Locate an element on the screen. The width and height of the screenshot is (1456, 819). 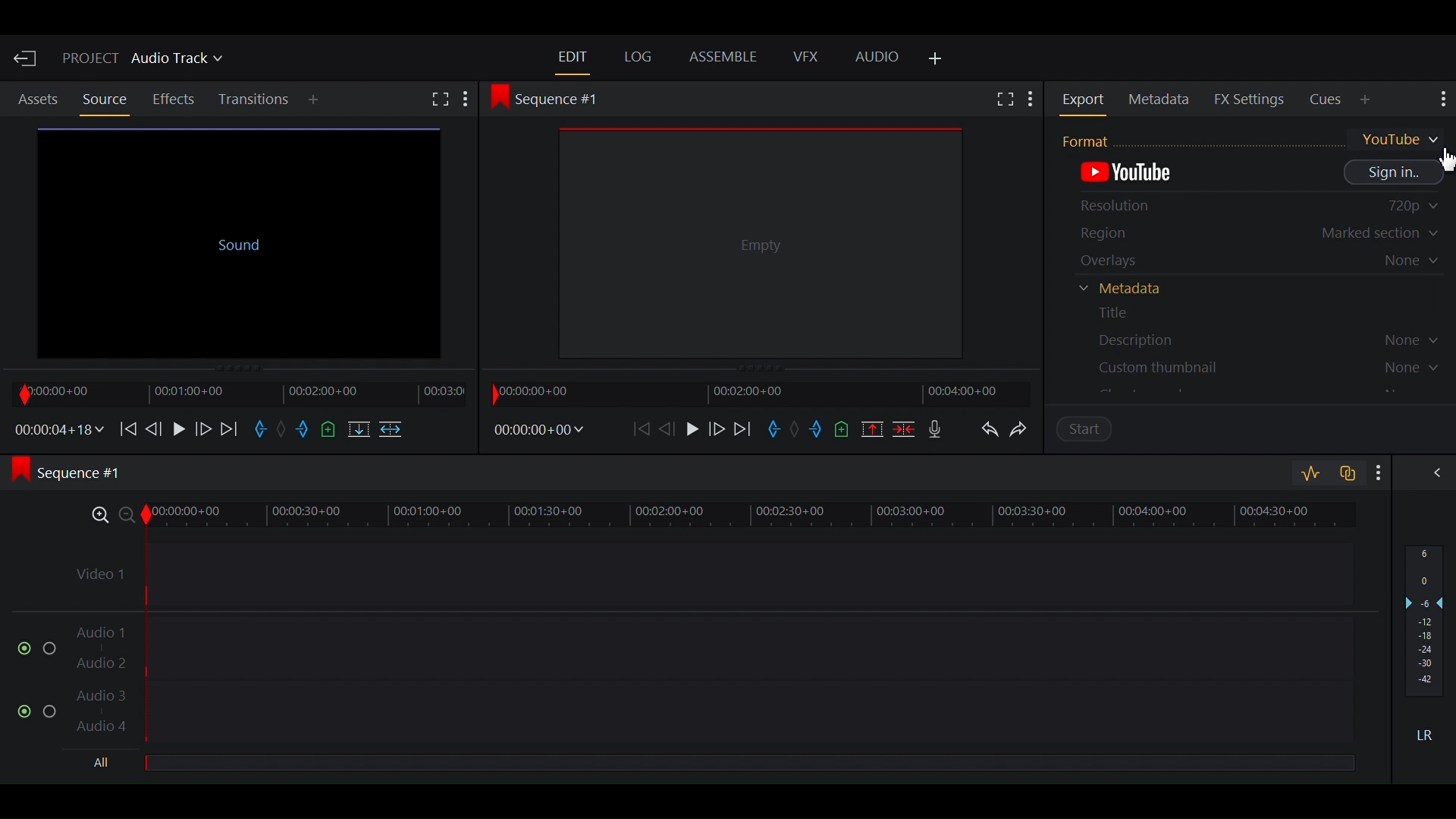
Play is located at coordinates (693, 428).